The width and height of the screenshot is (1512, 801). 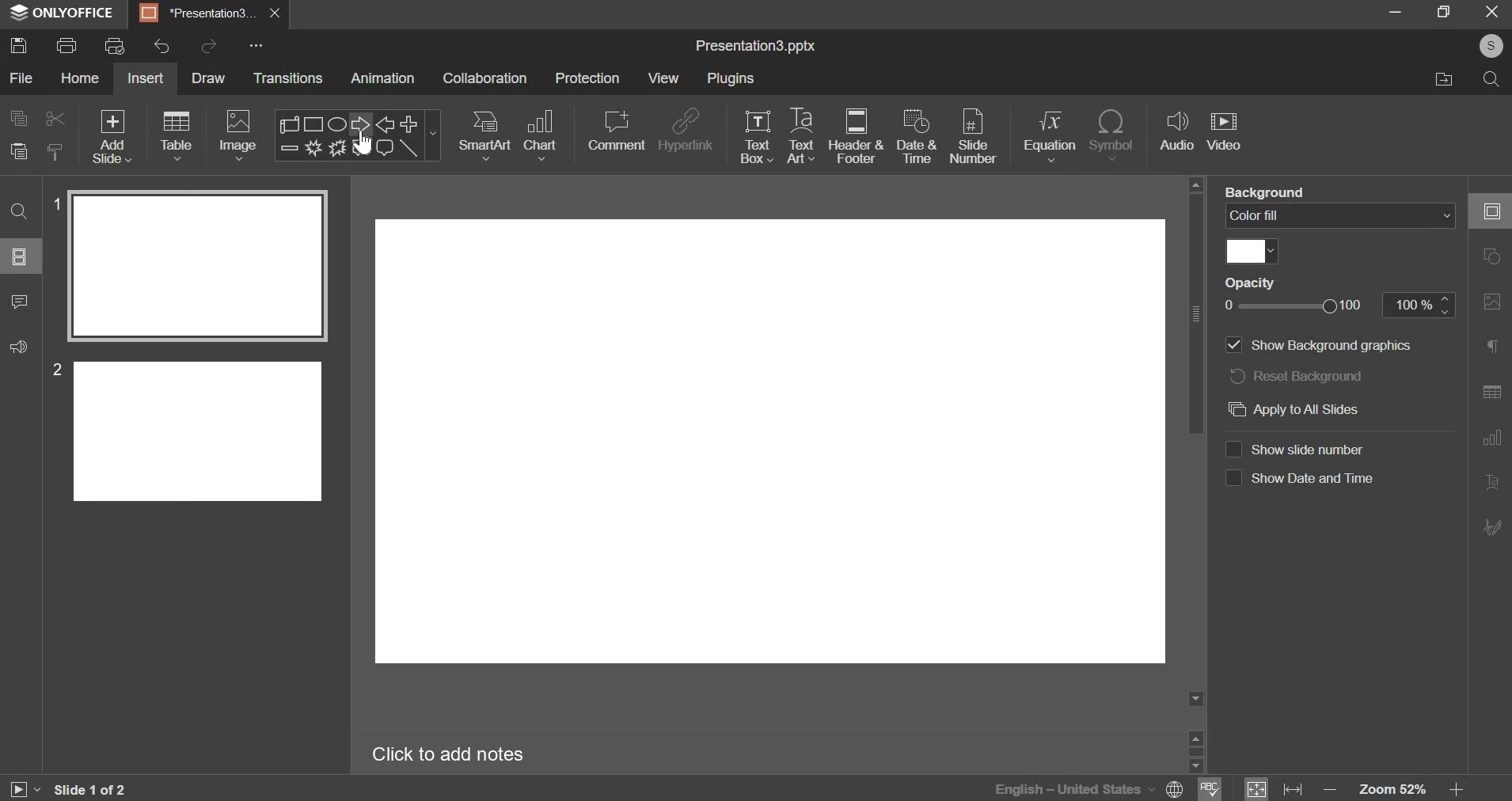 What do you see at coordinates (19, 256) in the screenshot?
I see `slide layout` at bounding box center [19, 256].